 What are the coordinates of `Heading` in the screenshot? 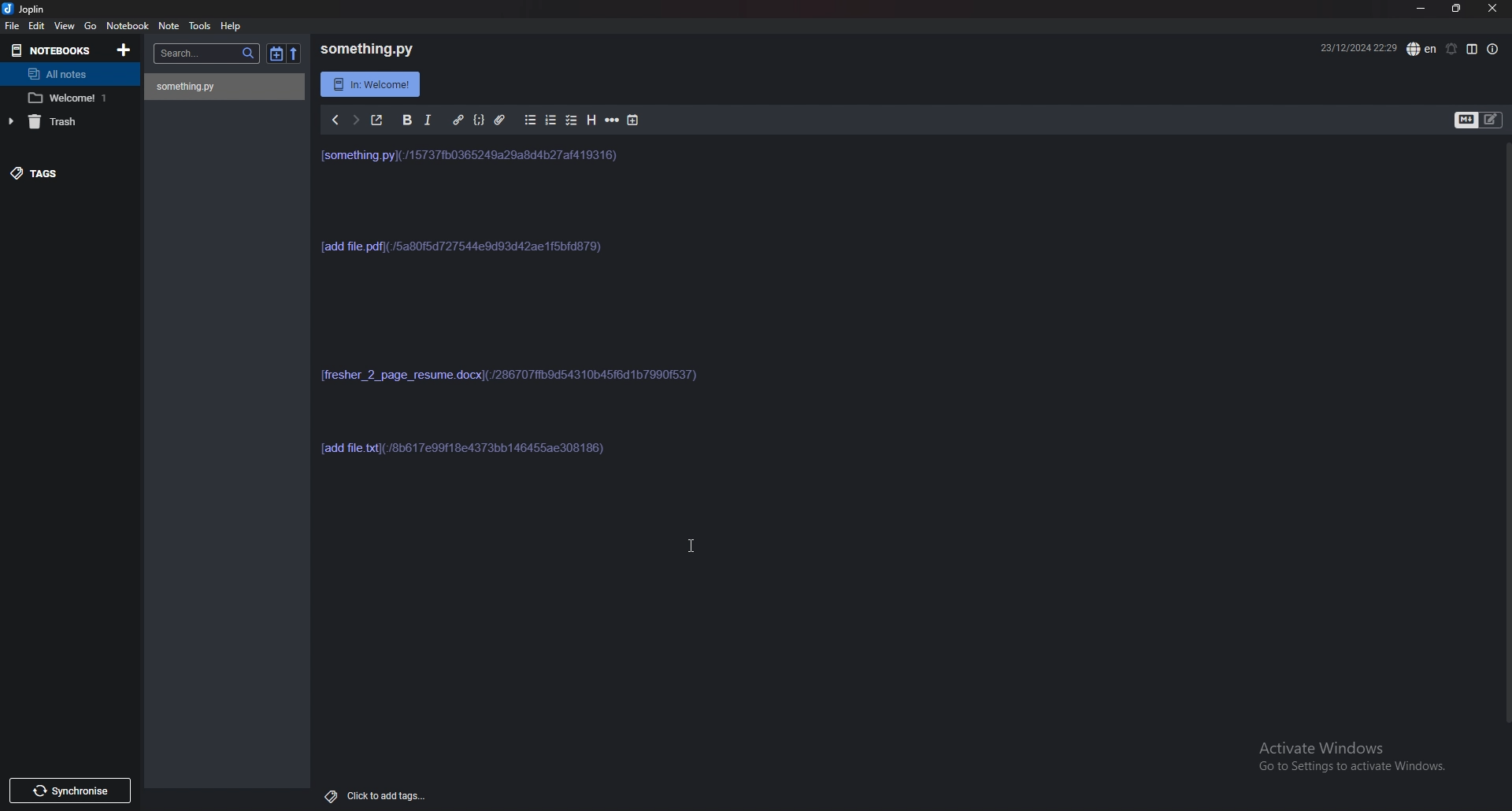 It's located at (591, 121).